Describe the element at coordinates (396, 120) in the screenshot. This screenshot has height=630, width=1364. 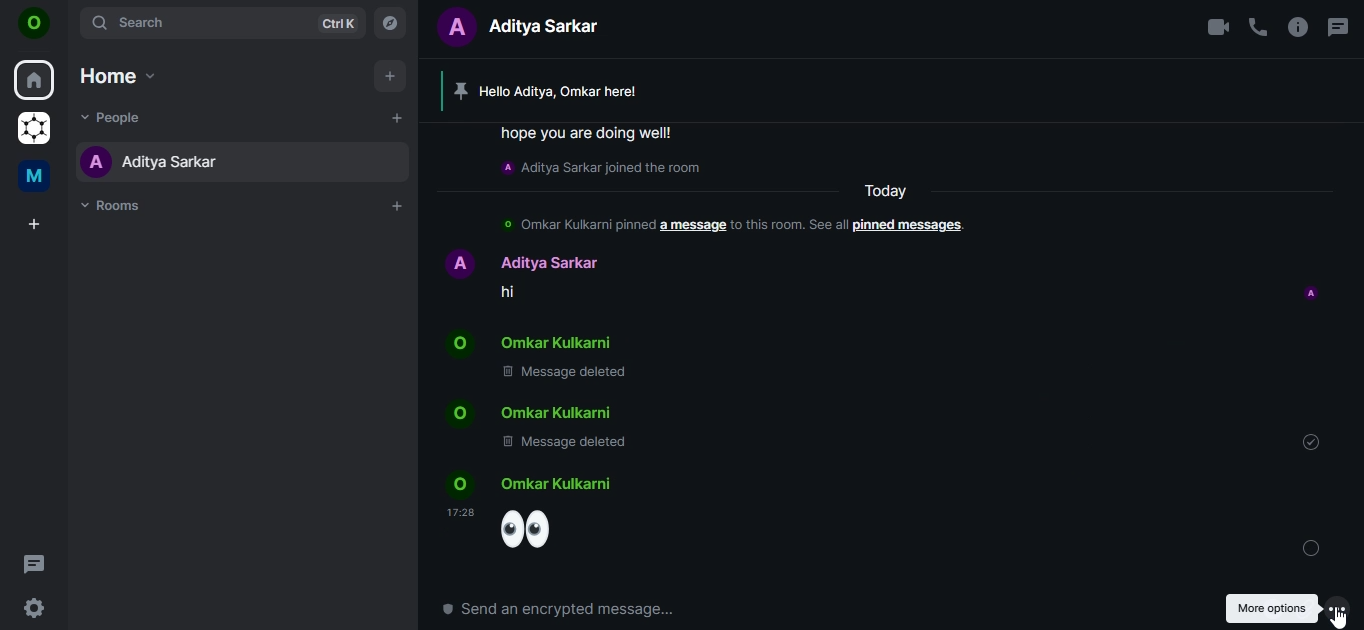
I see `start chat` at that location.